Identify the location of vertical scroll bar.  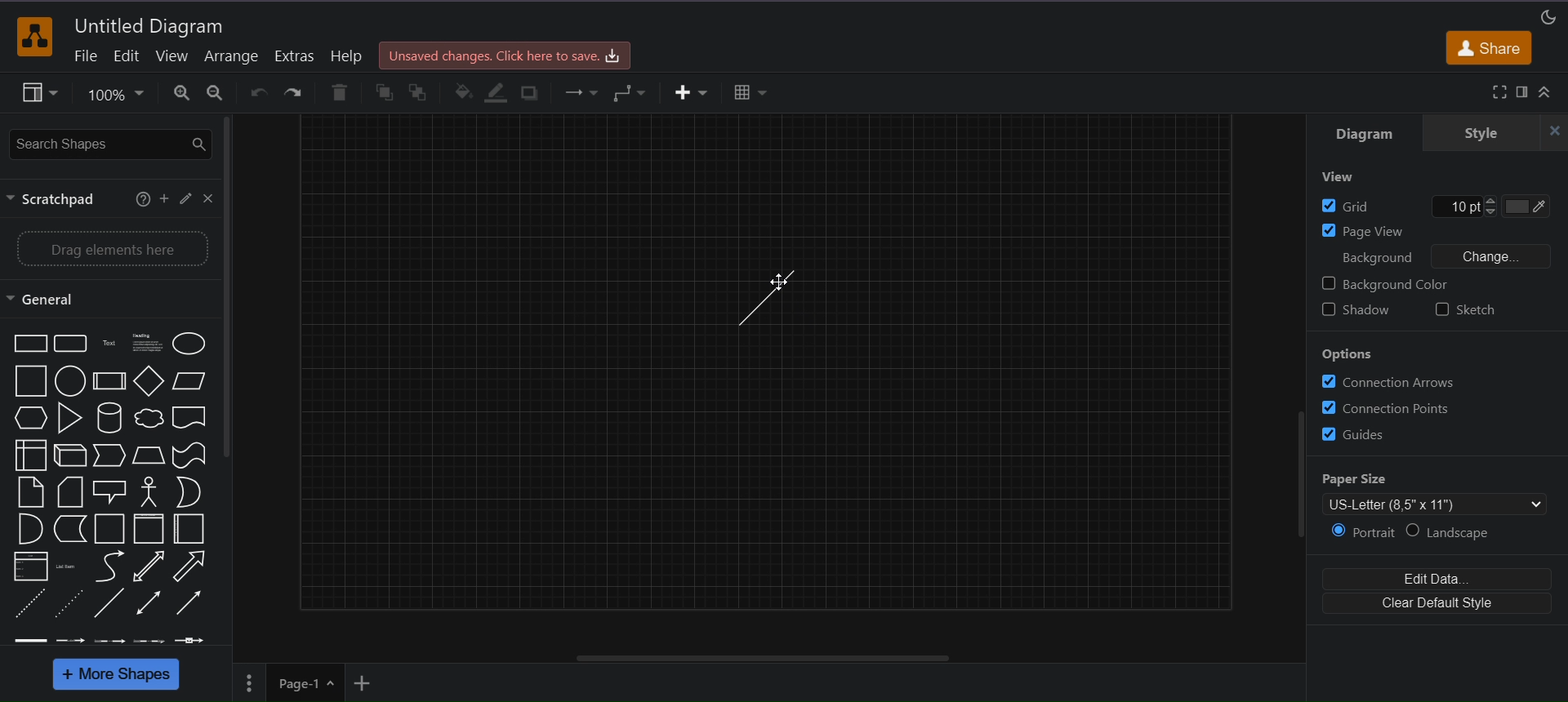
(232, 291).